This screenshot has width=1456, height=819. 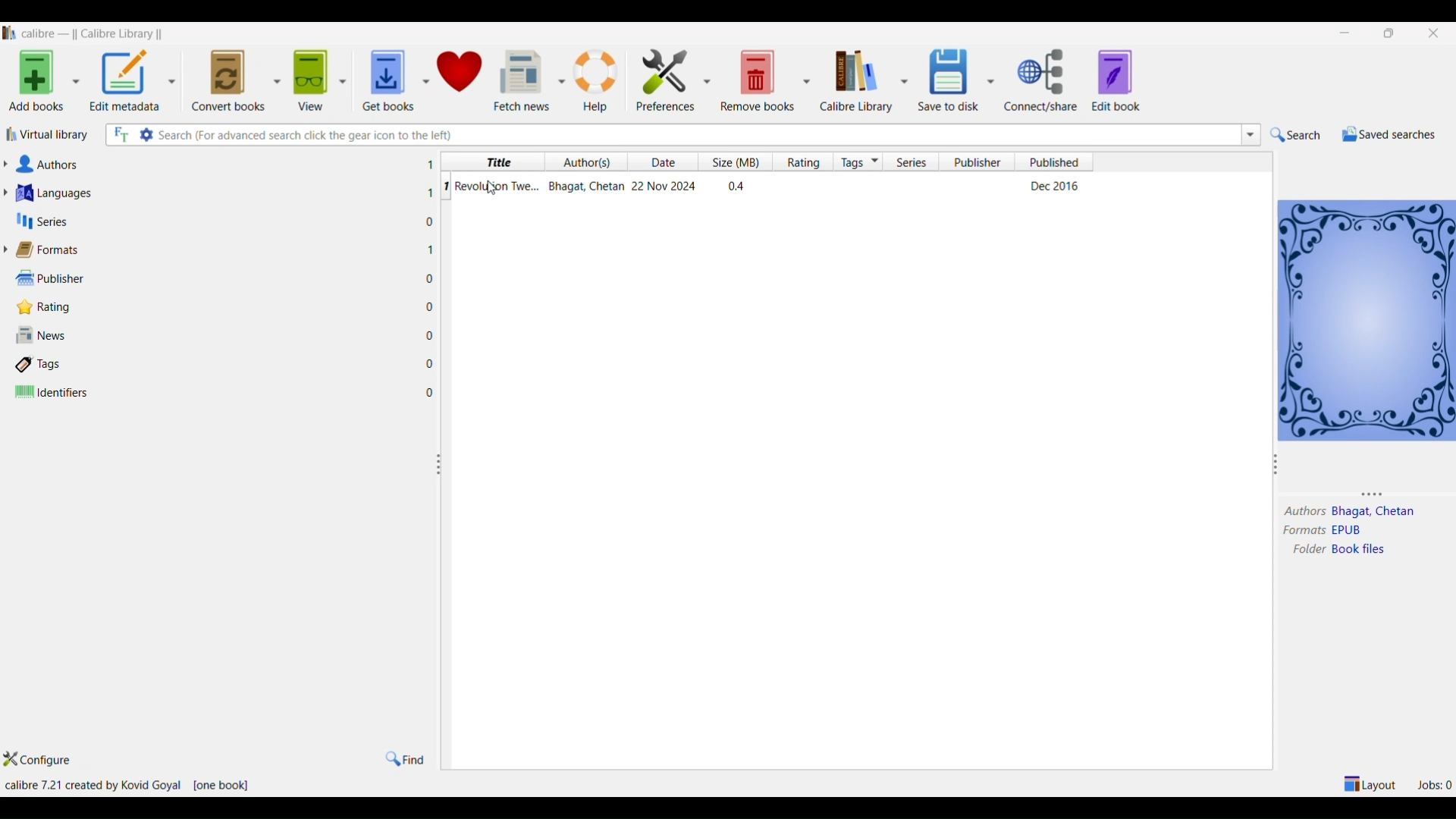 What do you see at coordinates (52, 393) in the screenshot?
I see `identifiers and number of identifiers` at bounding box center [52, 393].